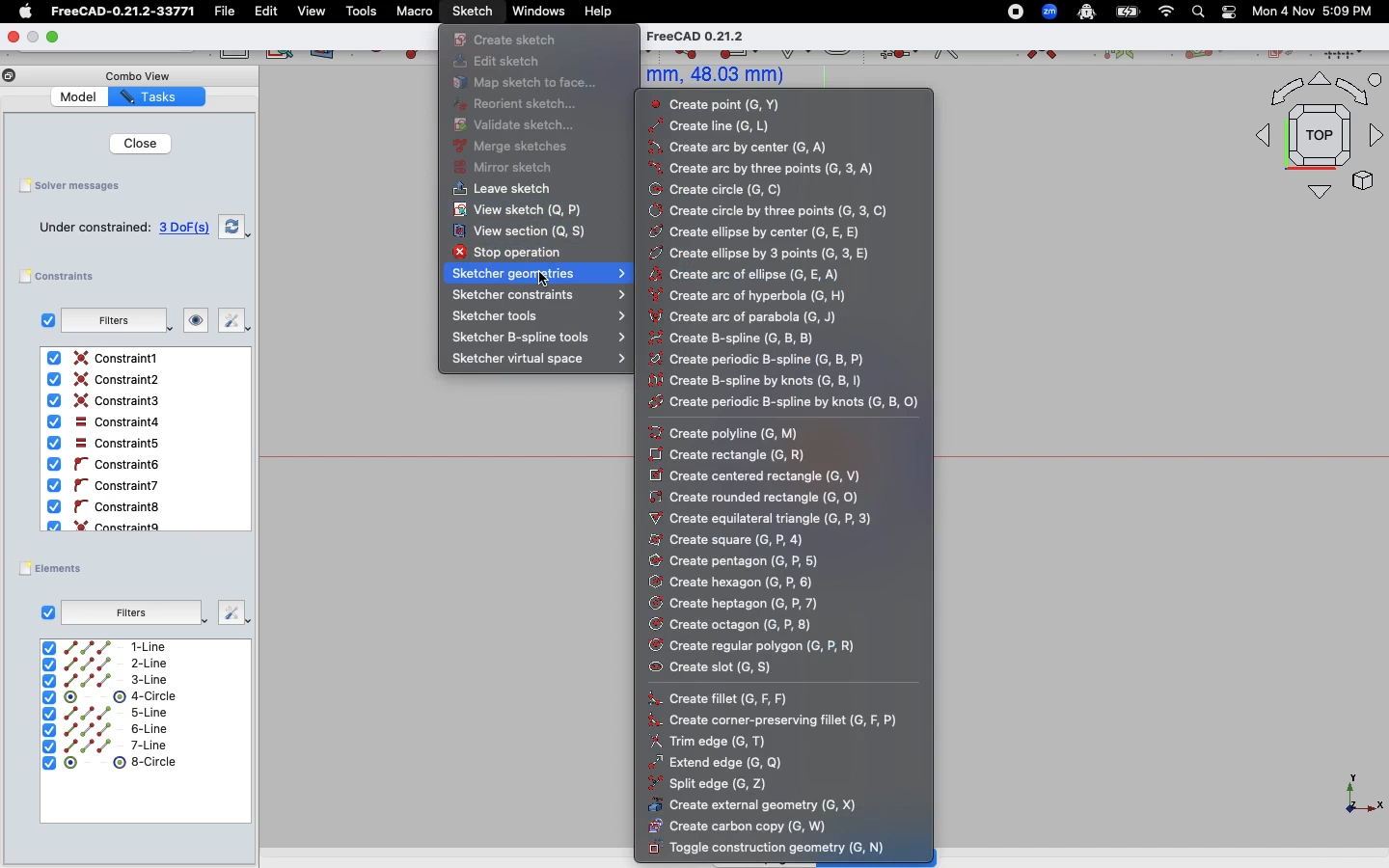 The image size is (1389, 868). Describe the element at coordinates (118, 664) in the screenshot. I see `2-Line` at that location.